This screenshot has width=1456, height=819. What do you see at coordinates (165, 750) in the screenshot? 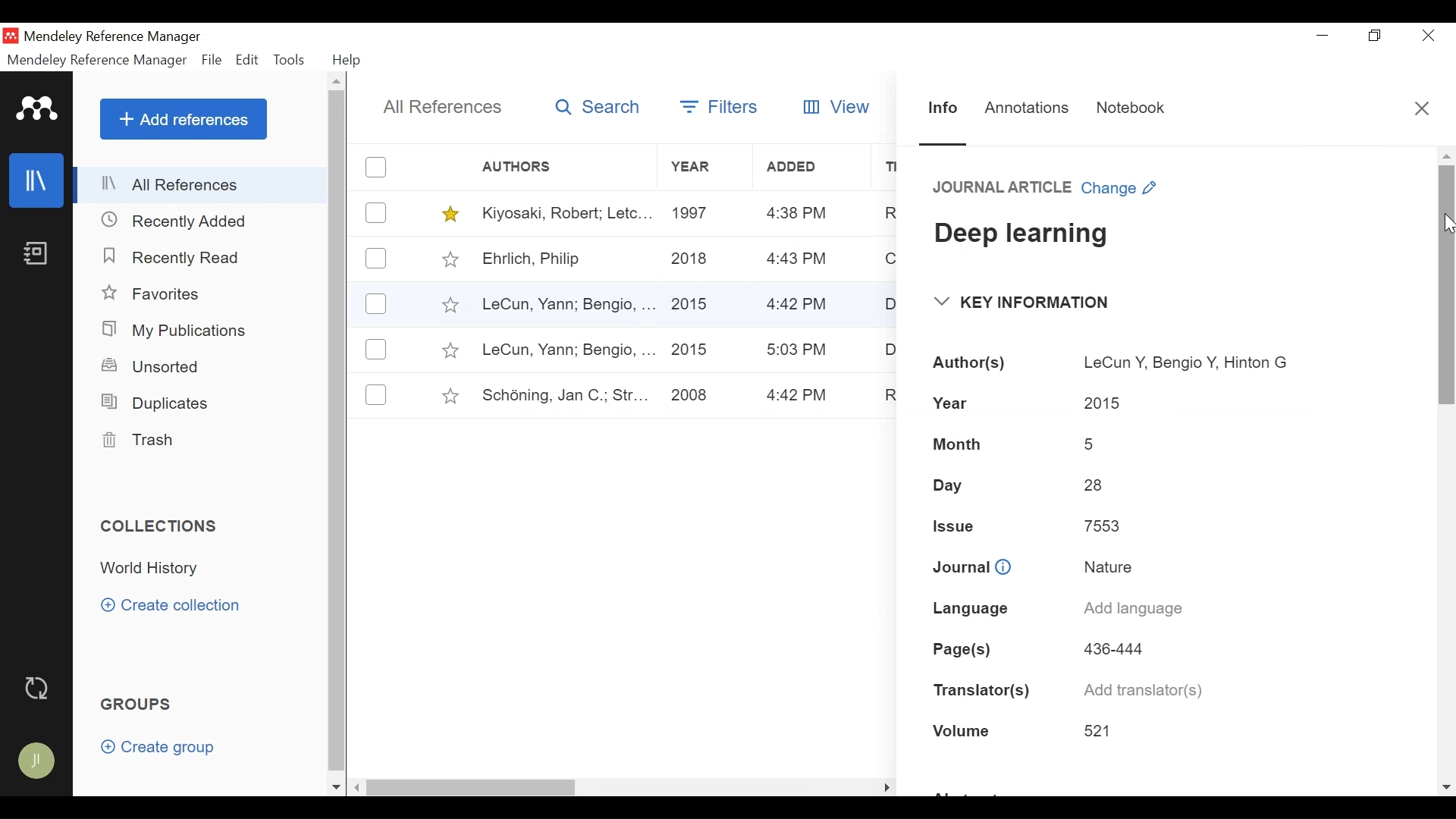
I see `Create group` at bounding box center [165, 750].